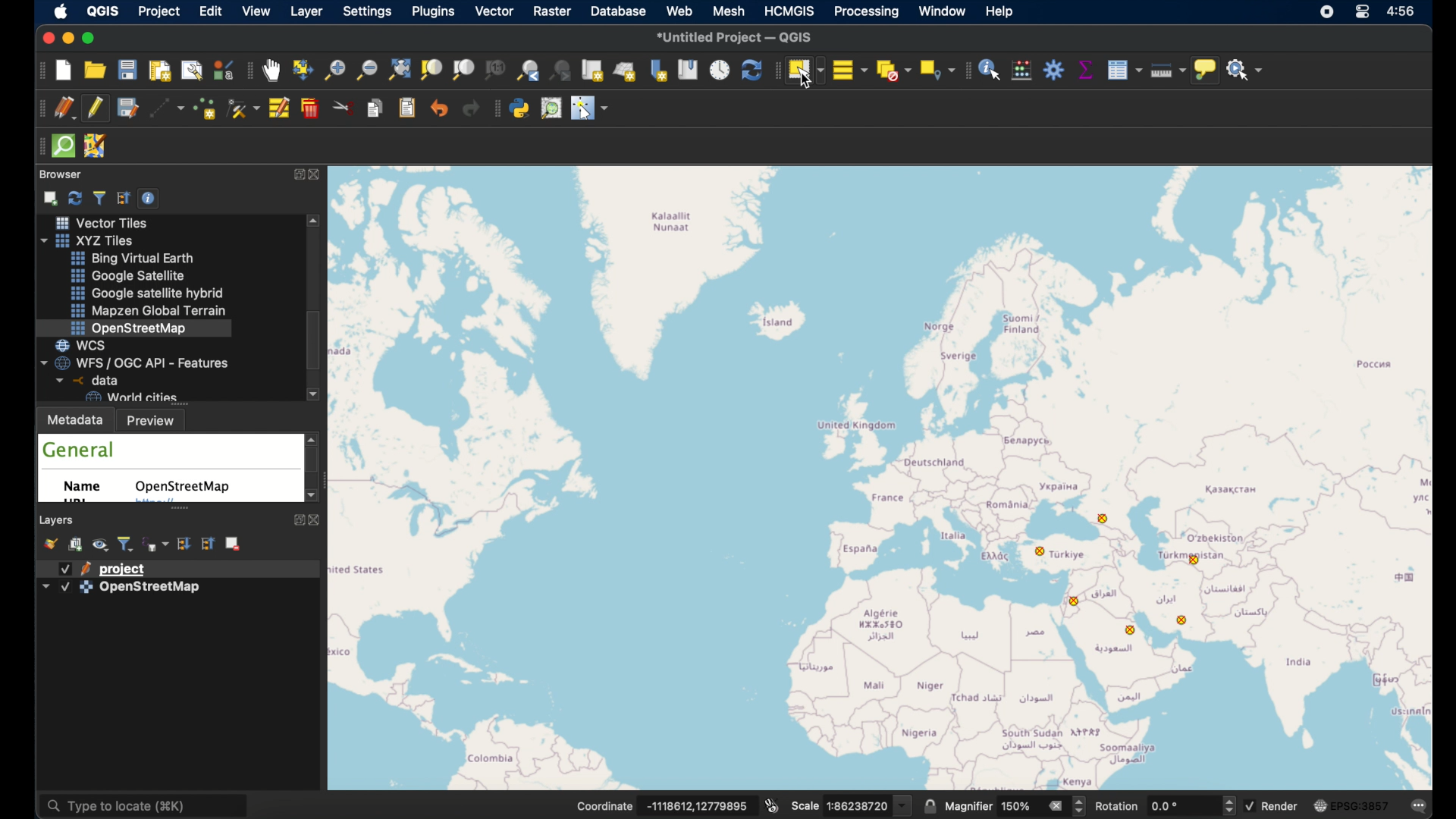  I want to click on new project, so click(64, 72).